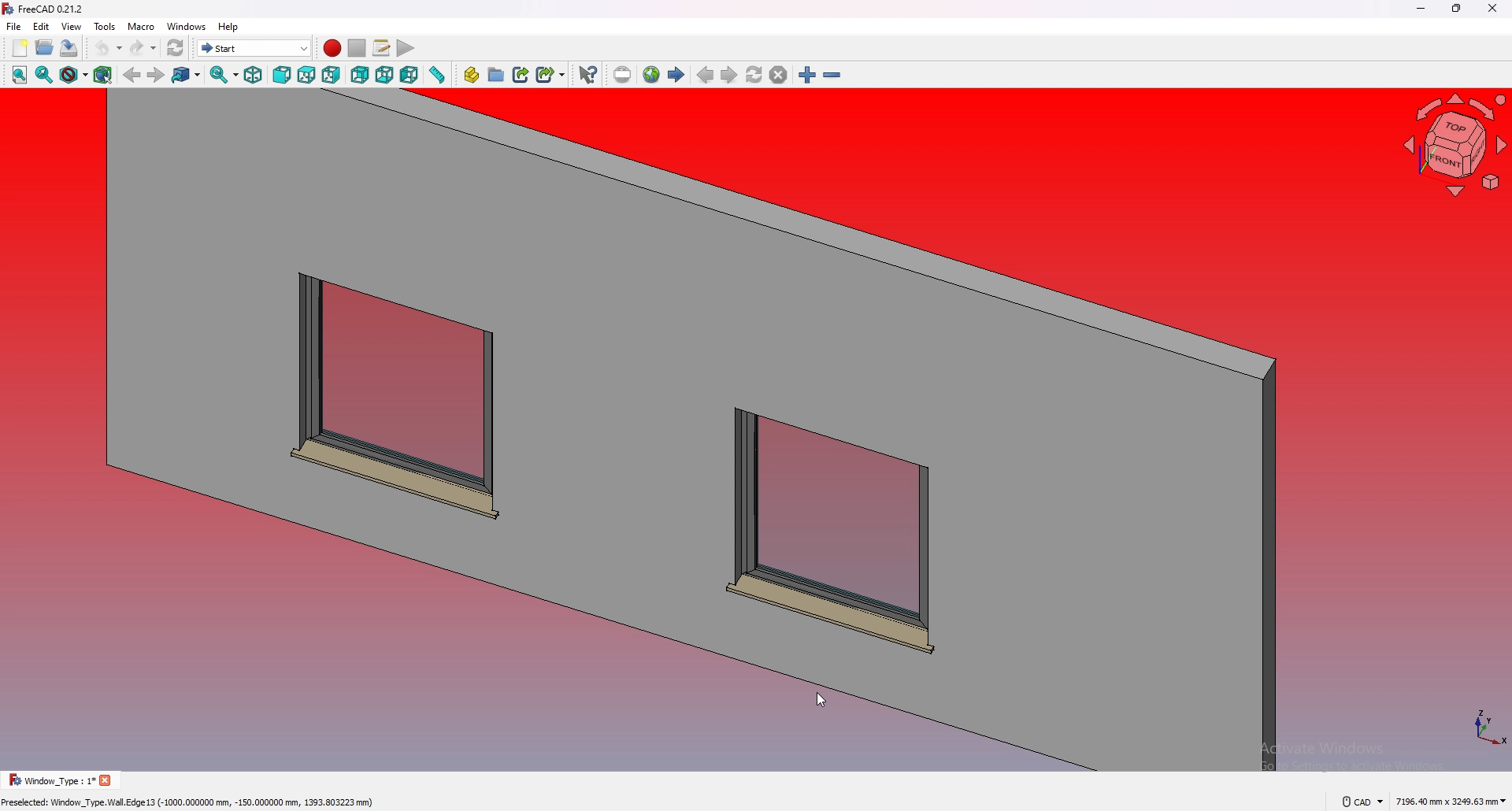  I want to click on view, so click(72, 26).